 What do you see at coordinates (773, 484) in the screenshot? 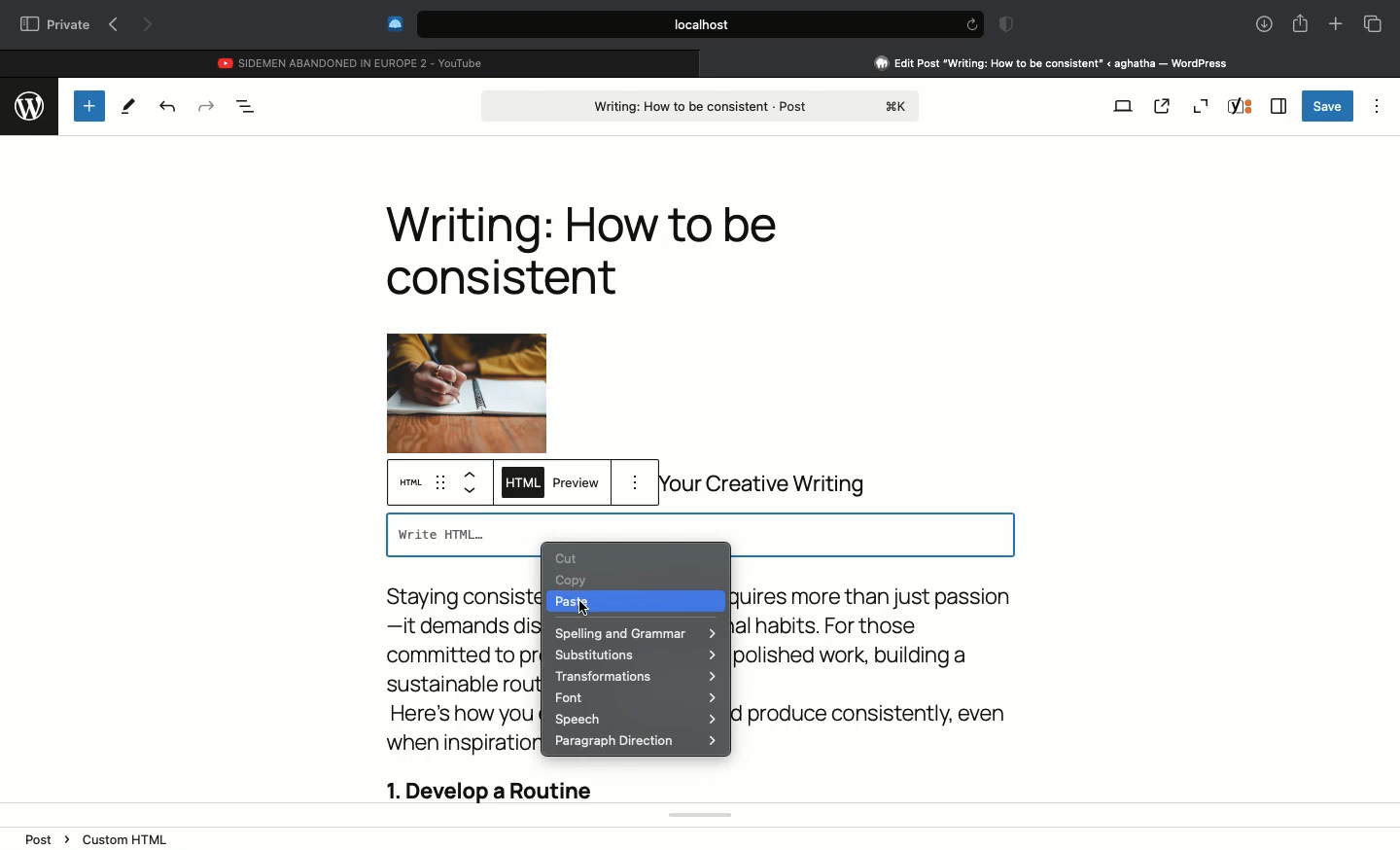
I see `your creative writing` at bounding box center [773, 484].